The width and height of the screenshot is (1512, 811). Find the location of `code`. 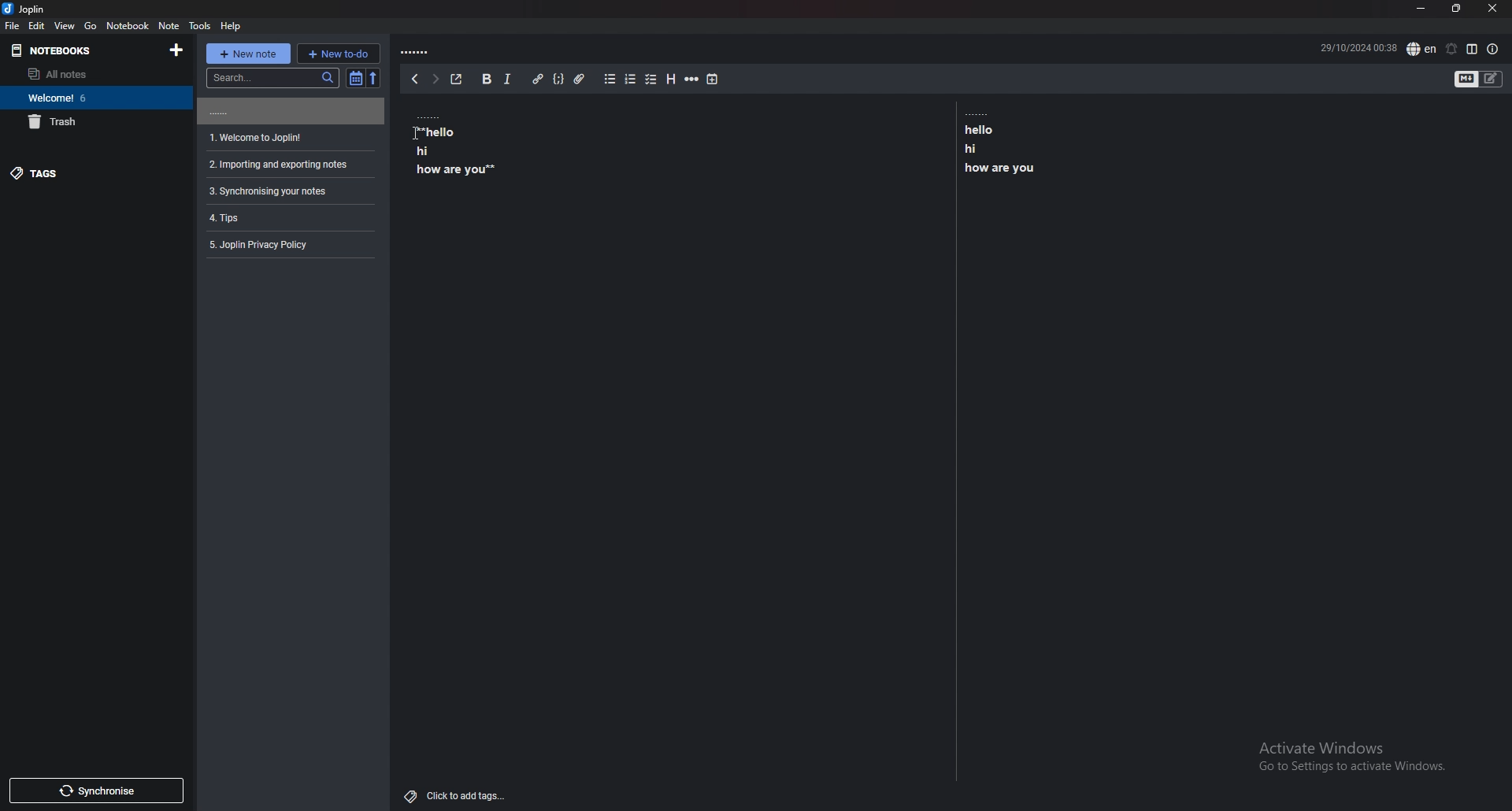

code is located at coordinates (559, 79).